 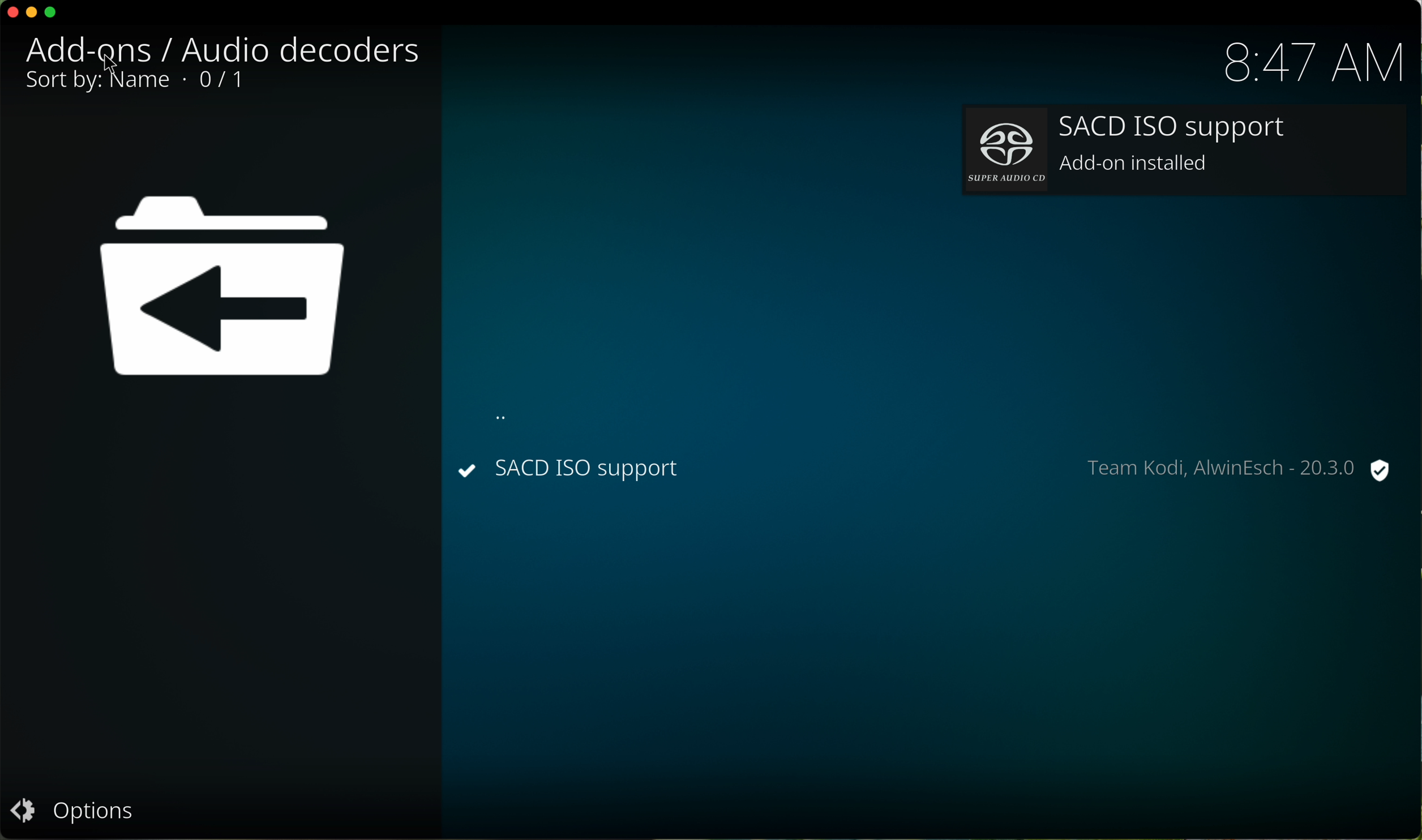 What do you see at coordinates (230, 48) in the screenshot?
I see `audio decoders` at bounding box center [230, 48].